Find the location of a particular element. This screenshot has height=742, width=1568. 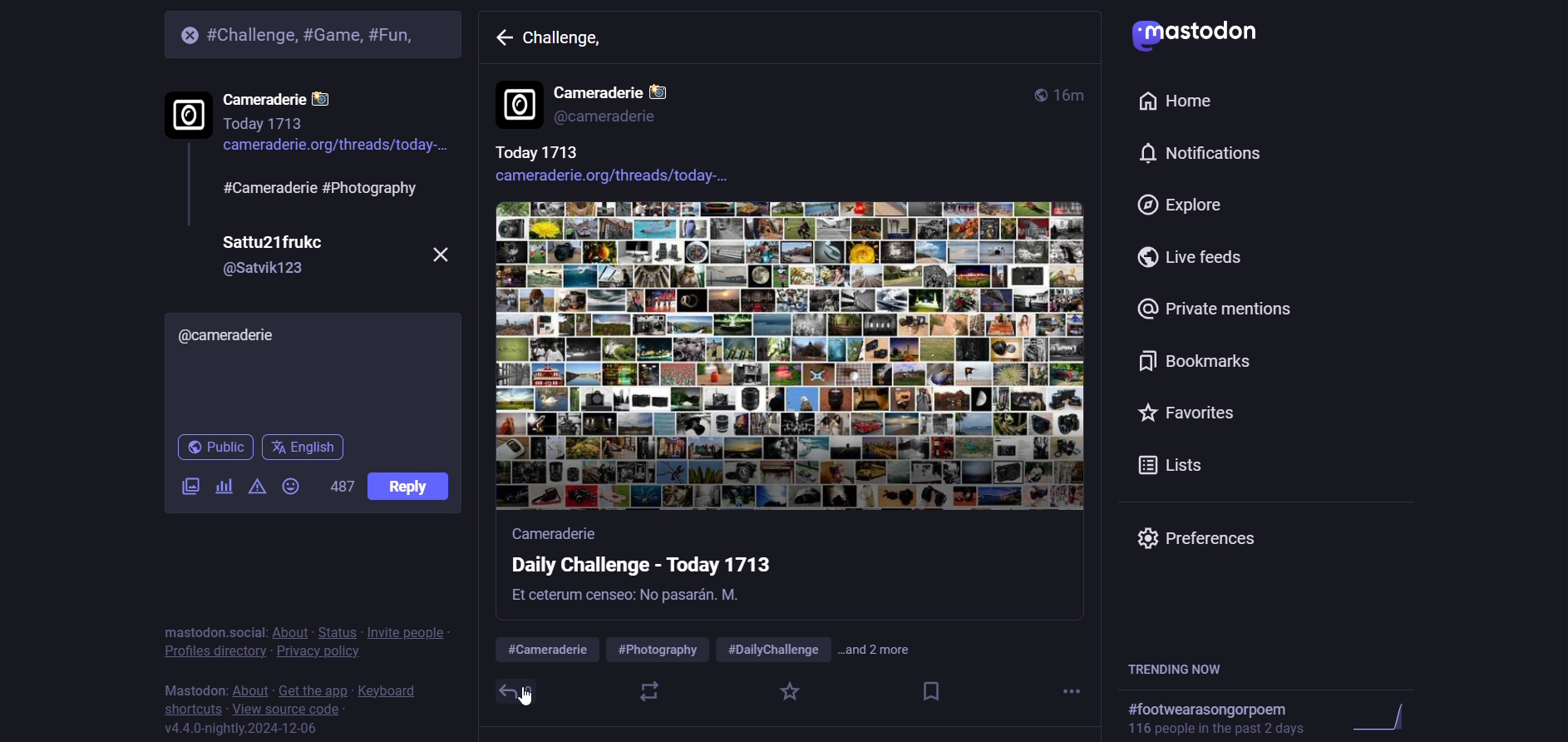

#Challenge, #Game, #Fun, is located at coordinates (319, 36).